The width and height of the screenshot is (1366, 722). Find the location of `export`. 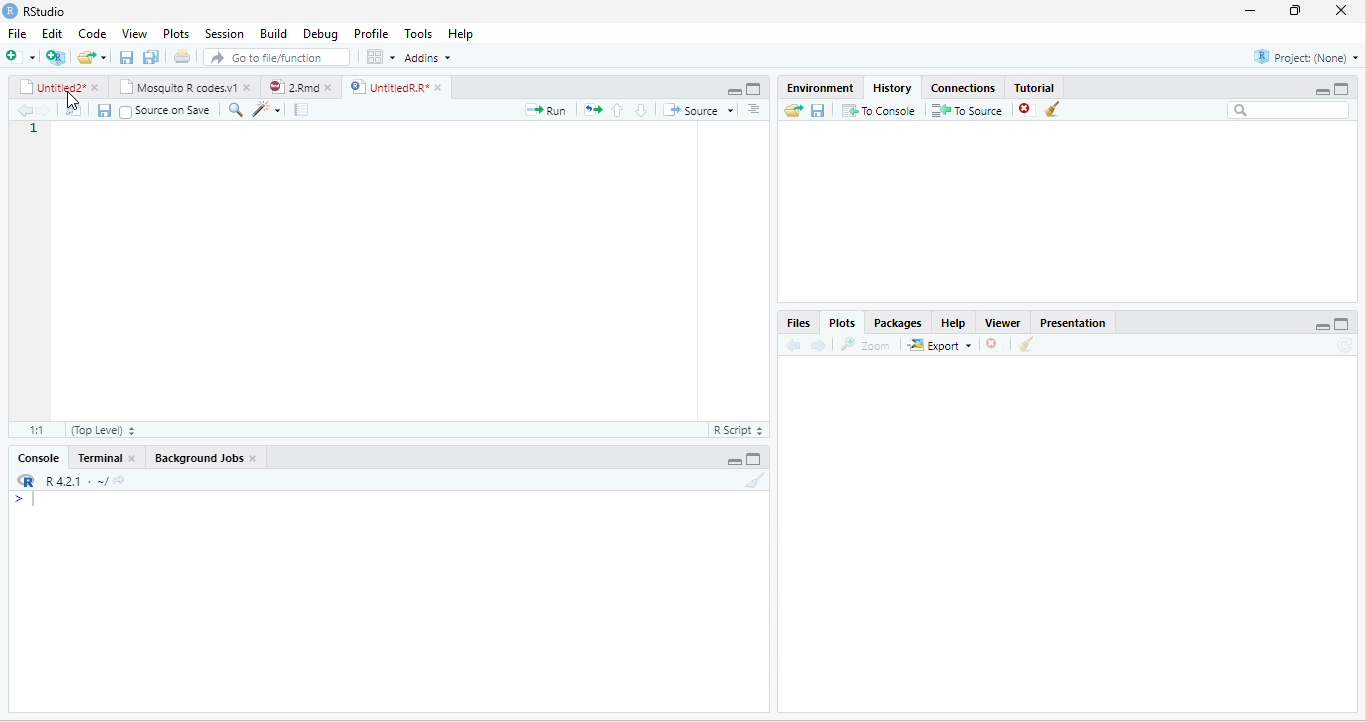

export is located at coordinates (940, 347).